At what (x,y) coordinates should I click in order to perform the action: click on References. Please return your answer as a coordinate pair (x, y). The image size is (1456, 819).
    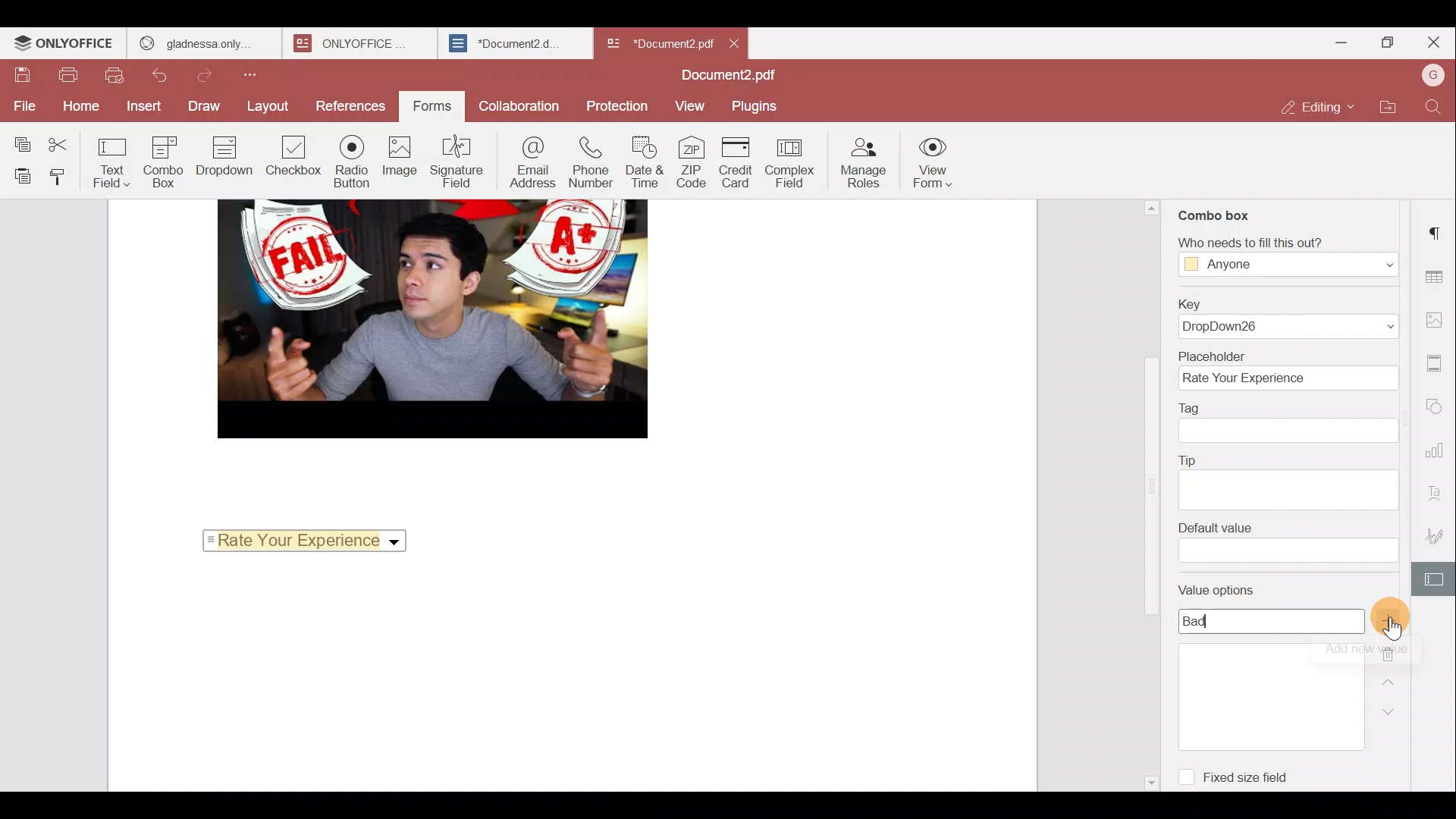
    Looking at the image, I should click on (347, 104).